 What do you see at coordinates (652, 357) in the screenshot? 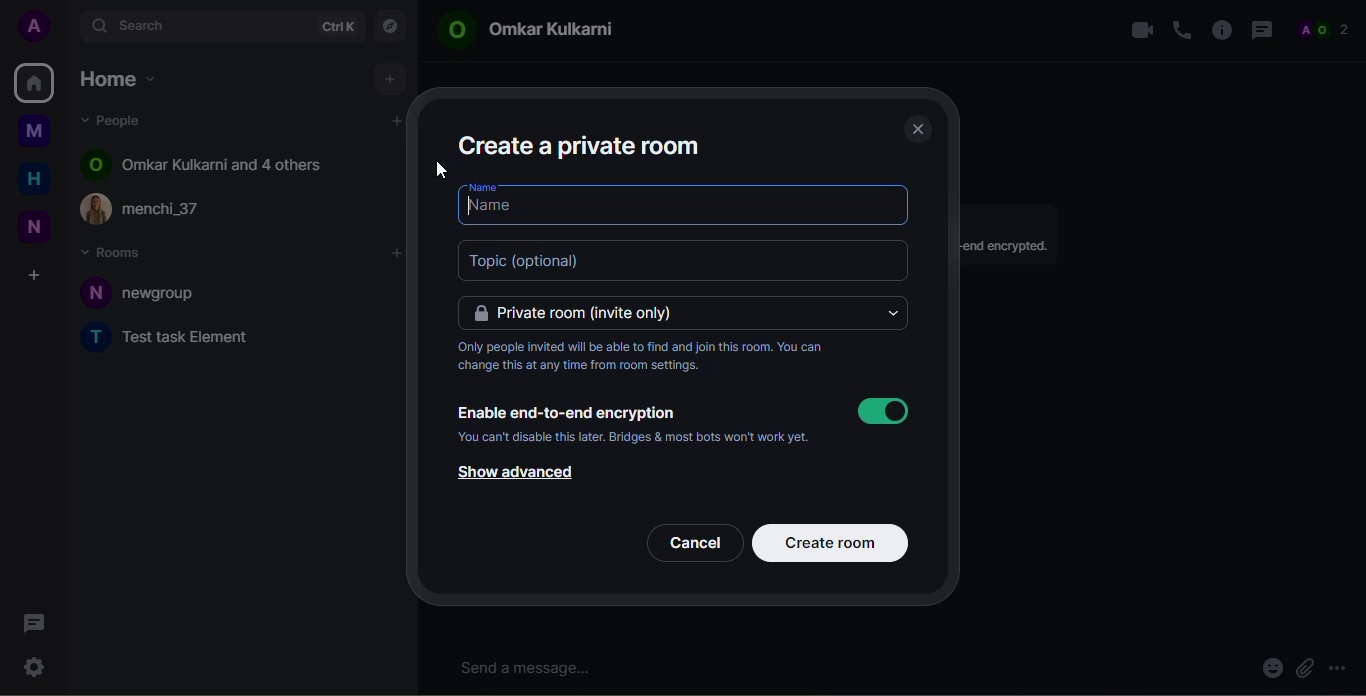
I see `Only people invited will be able to find and join this room. You can
change this at any time from room settings.` at bounding box center [652, 357].